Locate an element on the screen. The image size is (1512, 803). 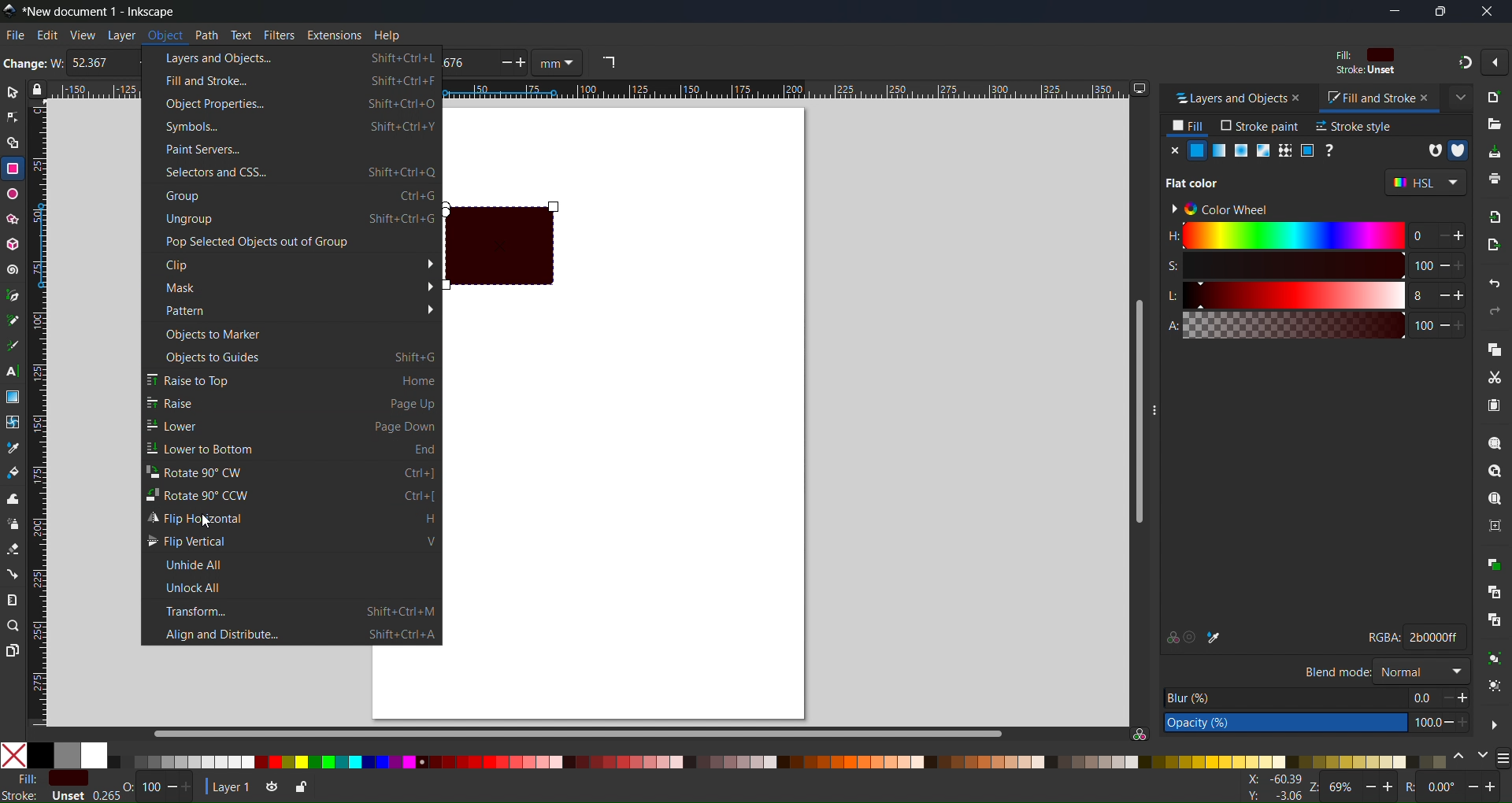
New is located at coordinates (1495, 95).